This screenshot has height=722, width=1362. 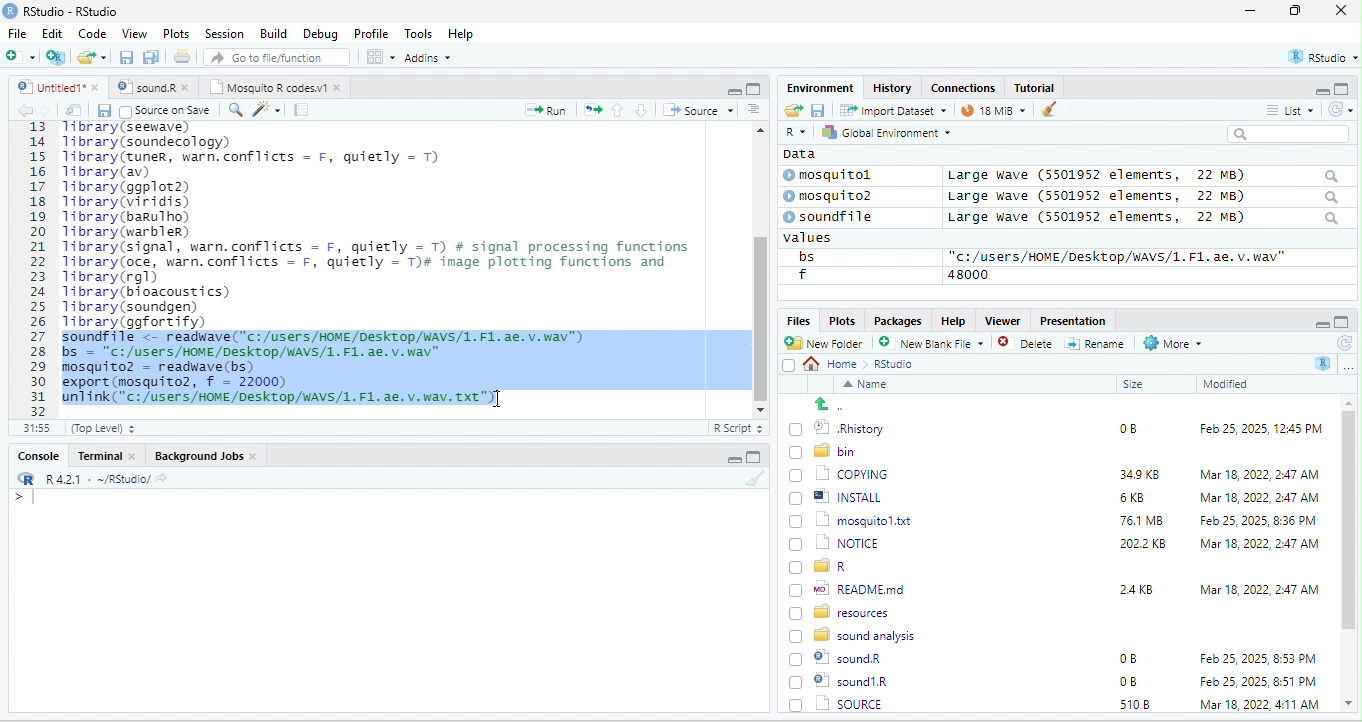 What do you see at coordinates (1145, 196) in the screenshot?
I see `Large wave (550139372 elements, JZ MB)` at bounding box center [1145, 196].